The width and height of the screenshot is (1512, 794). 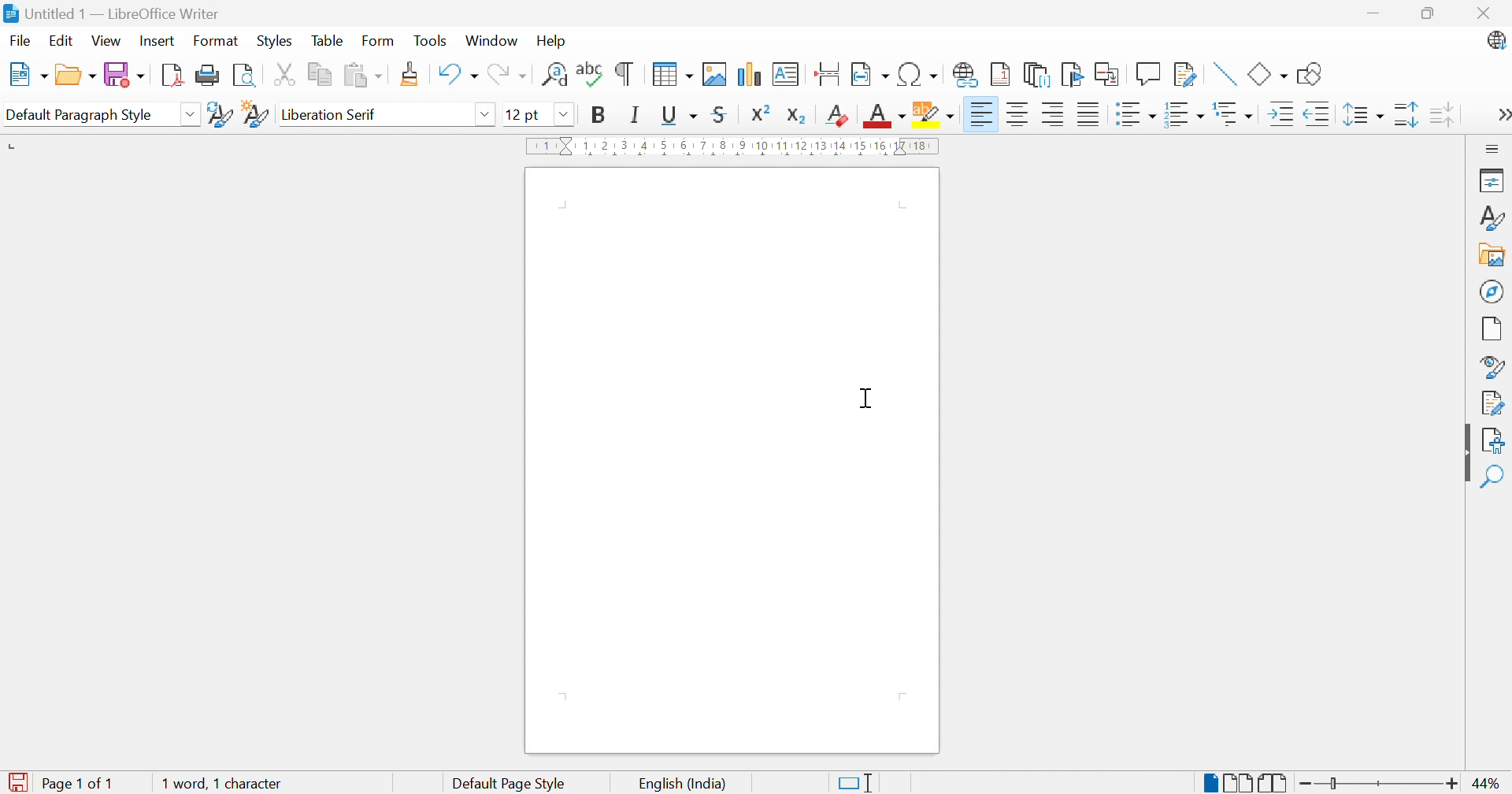 What do you see at coordinates (1054, 114) in the screenshot?
I see `Align left` at bounding box center [1054, 114].